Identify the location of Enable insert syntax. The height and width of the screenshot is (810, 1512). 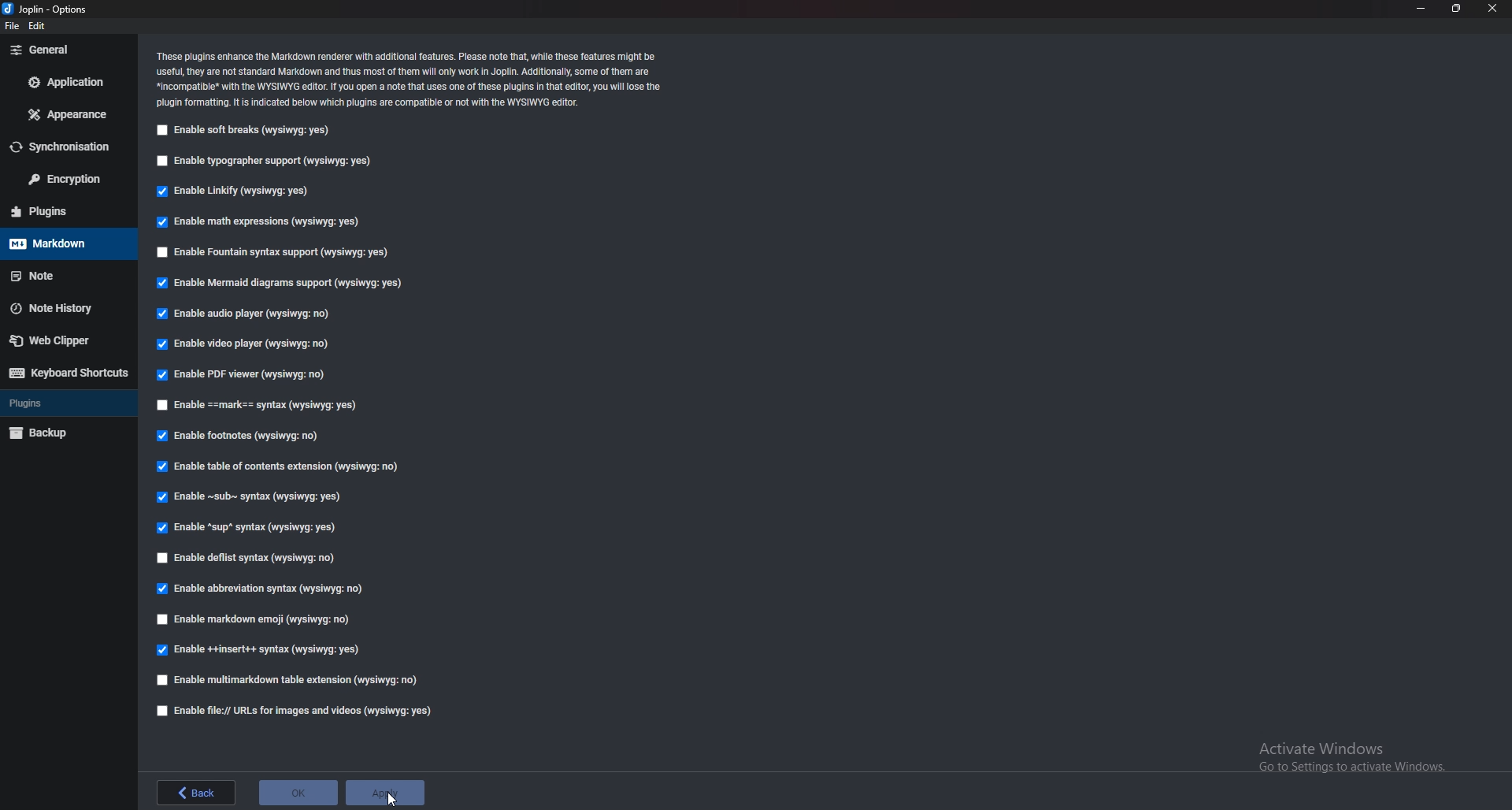
(266, 649).